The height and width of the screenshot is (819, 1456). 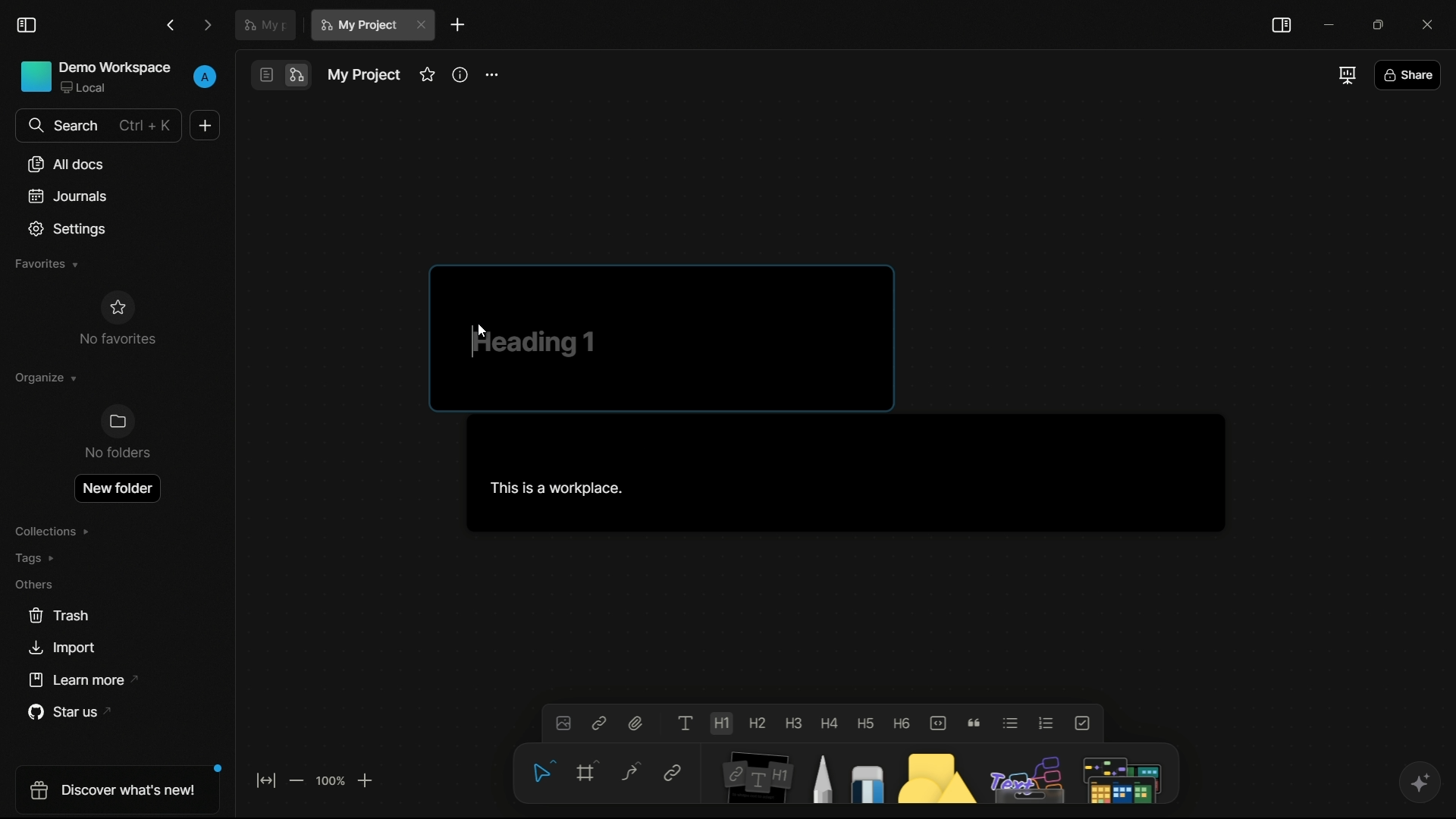 What do you see at coordinates (863, 773) in the screenshot?
I see `eraser` at bounding box center [863, 773].